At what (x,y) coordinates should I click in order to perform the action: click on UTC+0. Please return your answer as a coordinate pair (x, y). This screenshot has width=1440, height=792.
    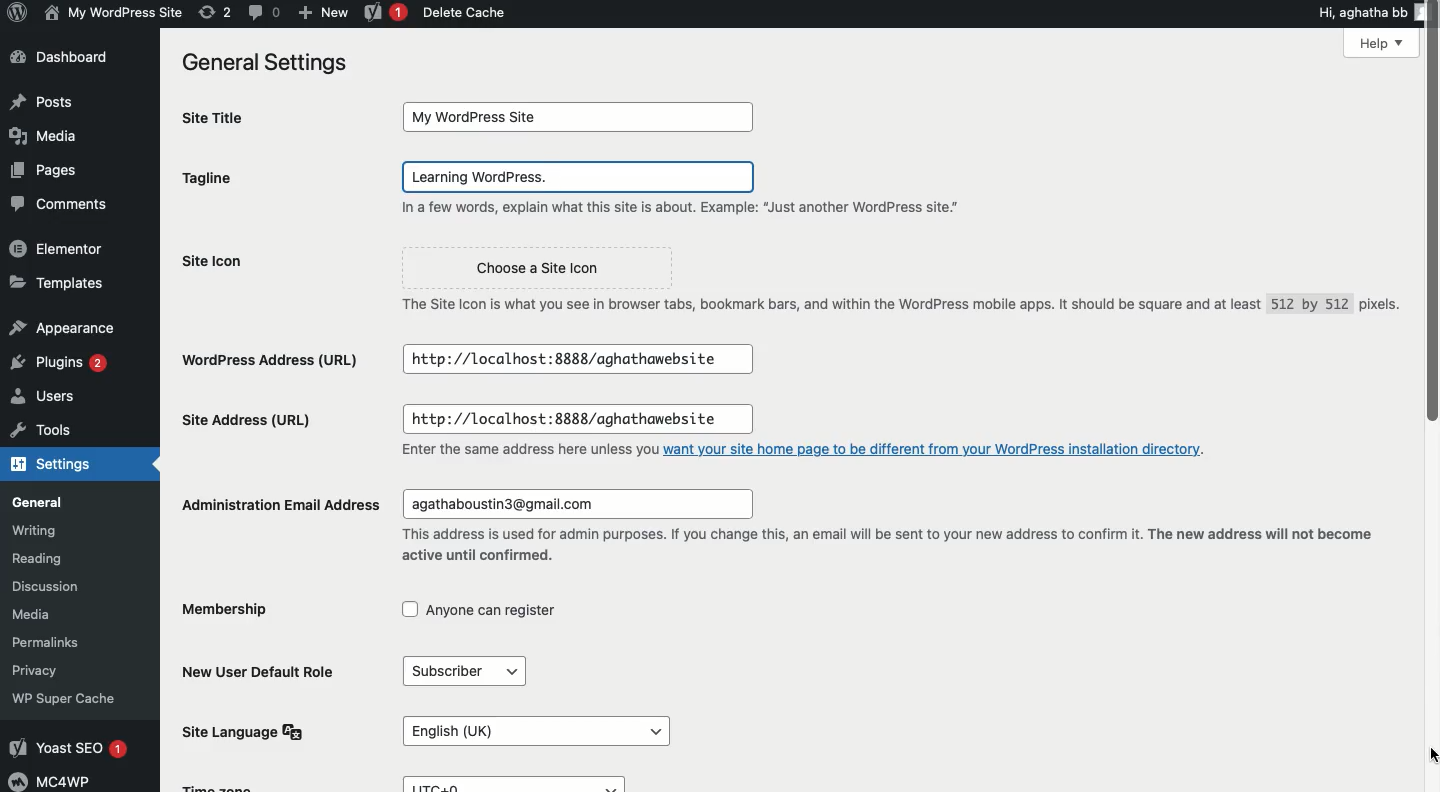
    Looking at the image, I should click on (516, 783).